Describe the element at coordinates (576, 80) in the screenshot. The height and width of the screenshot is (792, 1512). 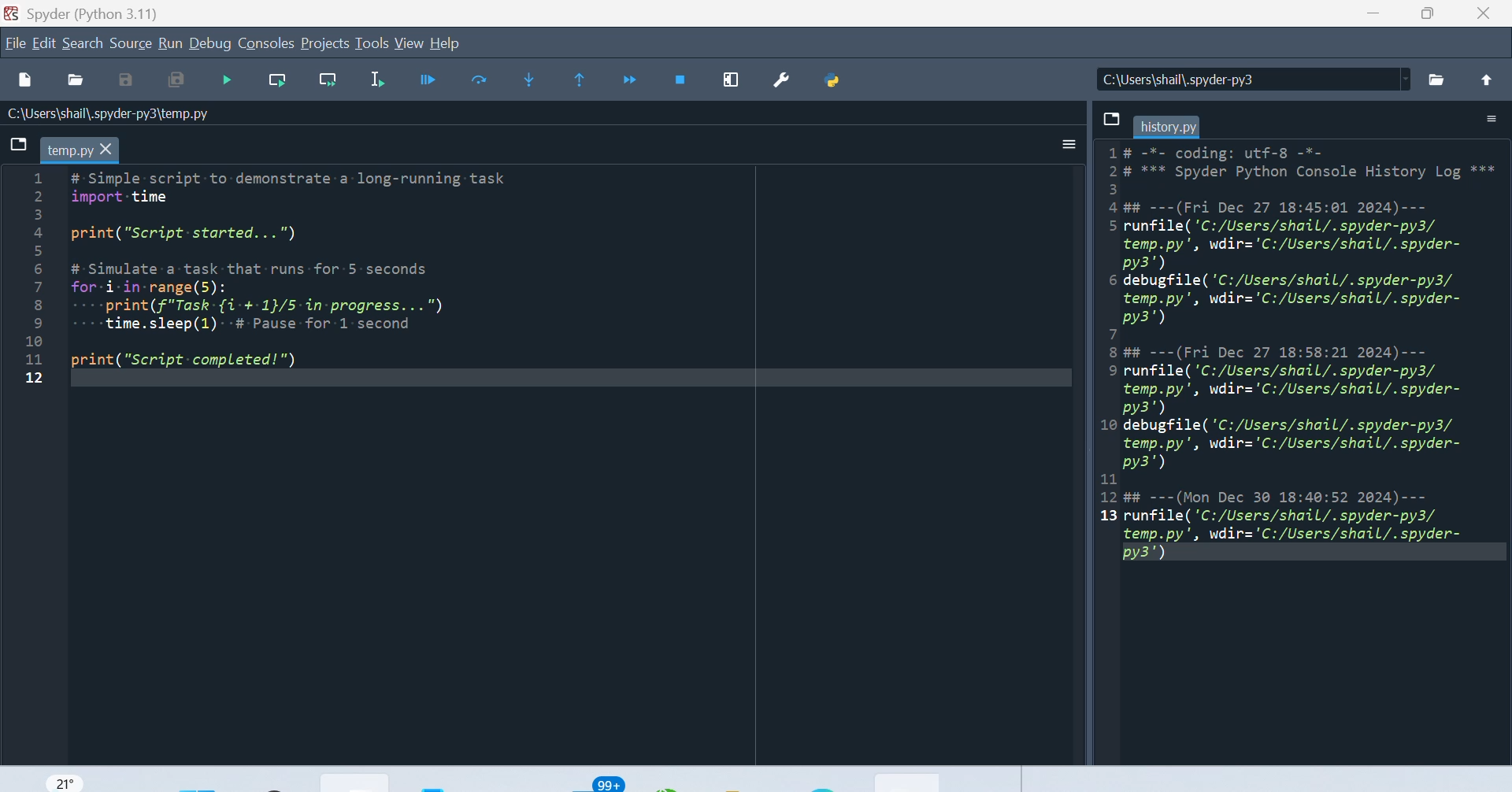
I see `Execute until same function returns` at that location.